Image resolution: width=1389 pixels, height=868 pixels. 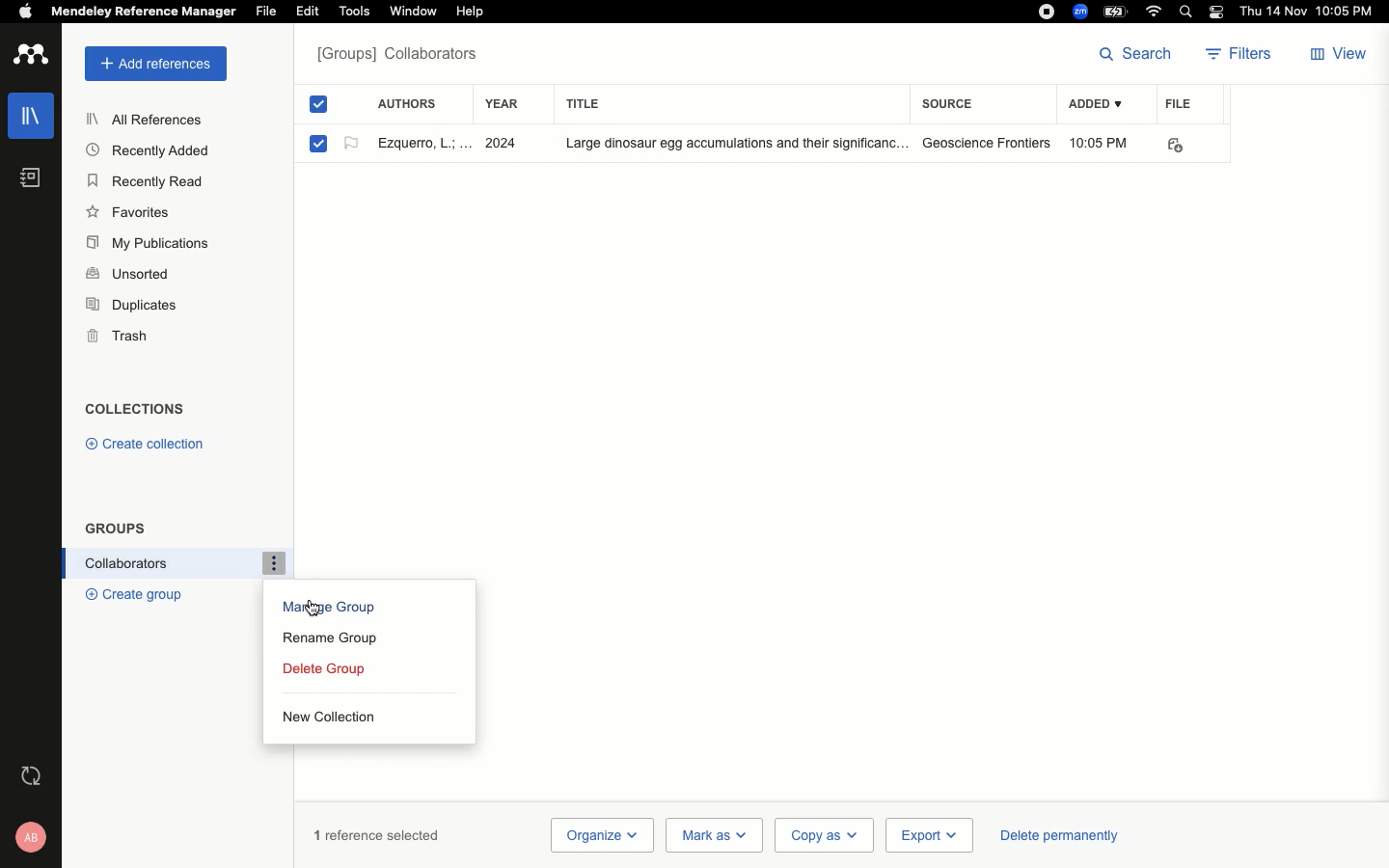 I want to click on All references, so click(x=150, y=121).